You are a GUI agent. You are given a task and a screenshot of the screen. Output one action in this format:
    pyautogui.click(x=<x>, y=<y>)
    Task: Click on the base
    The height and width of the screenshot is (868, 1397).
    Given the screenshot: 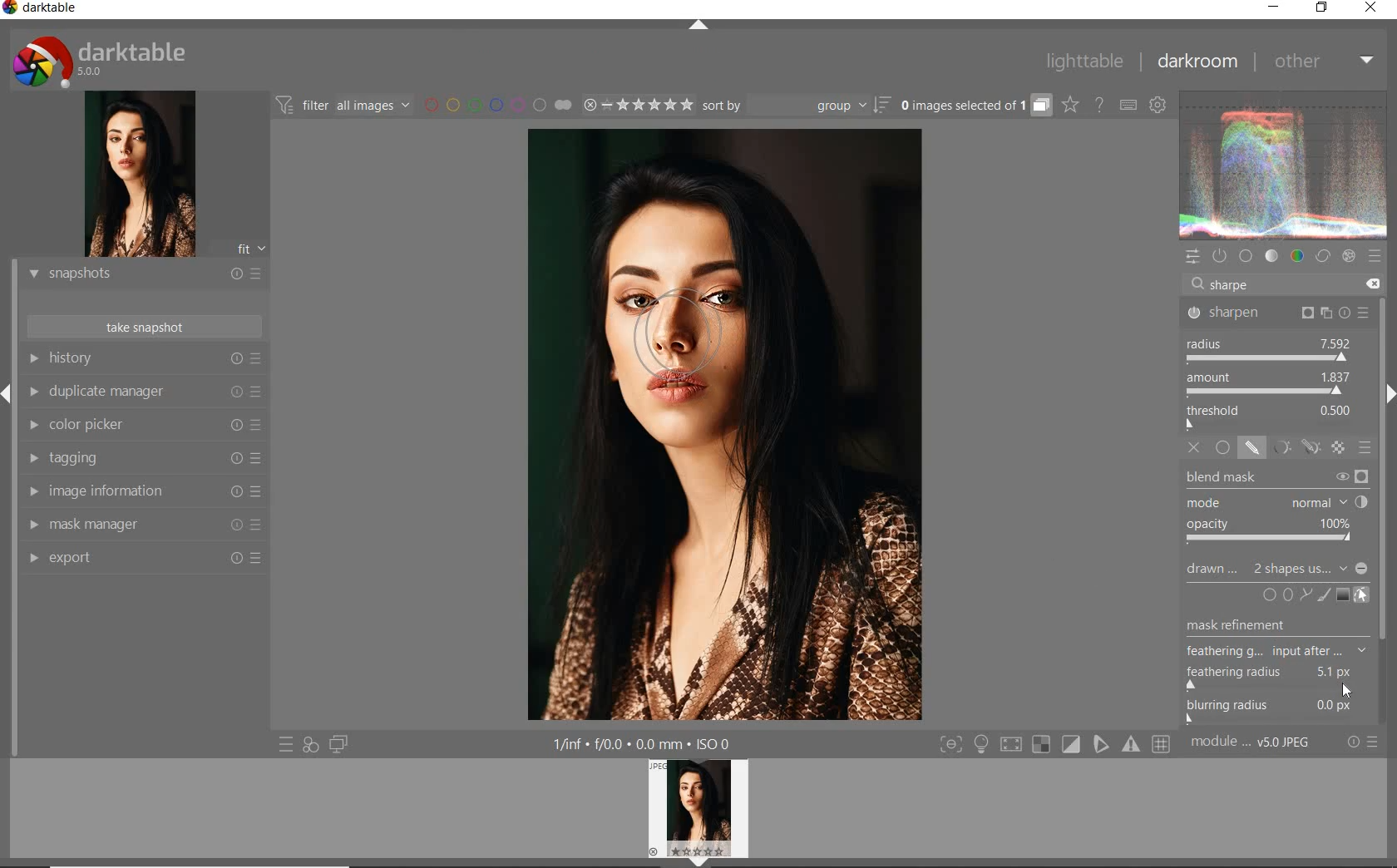 What is the action you would take?
    pyautogui.click(x=1246, y=255)
    